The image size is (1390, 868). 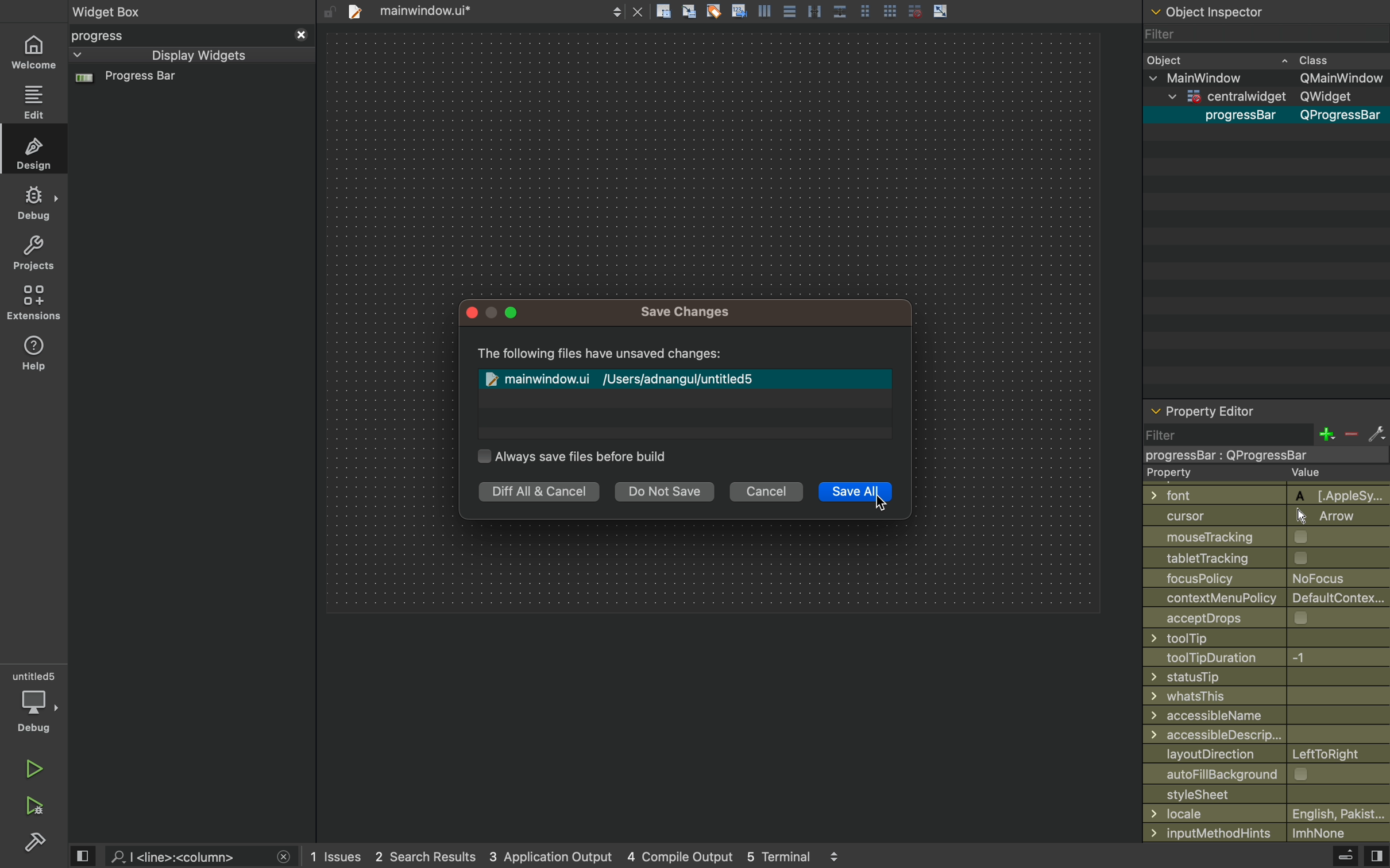 I want to click on close, so click(x=473, y=315).